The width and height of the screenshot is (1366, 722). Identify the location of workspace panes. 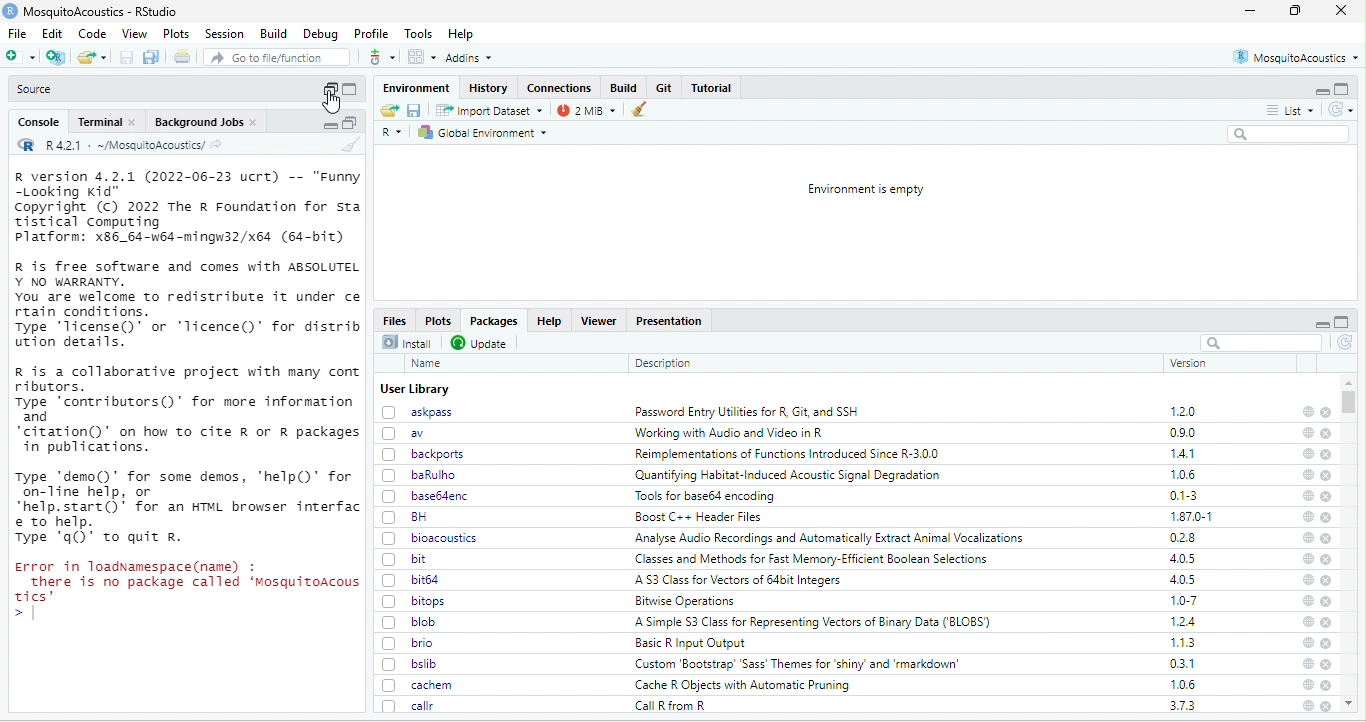
(421, 57).